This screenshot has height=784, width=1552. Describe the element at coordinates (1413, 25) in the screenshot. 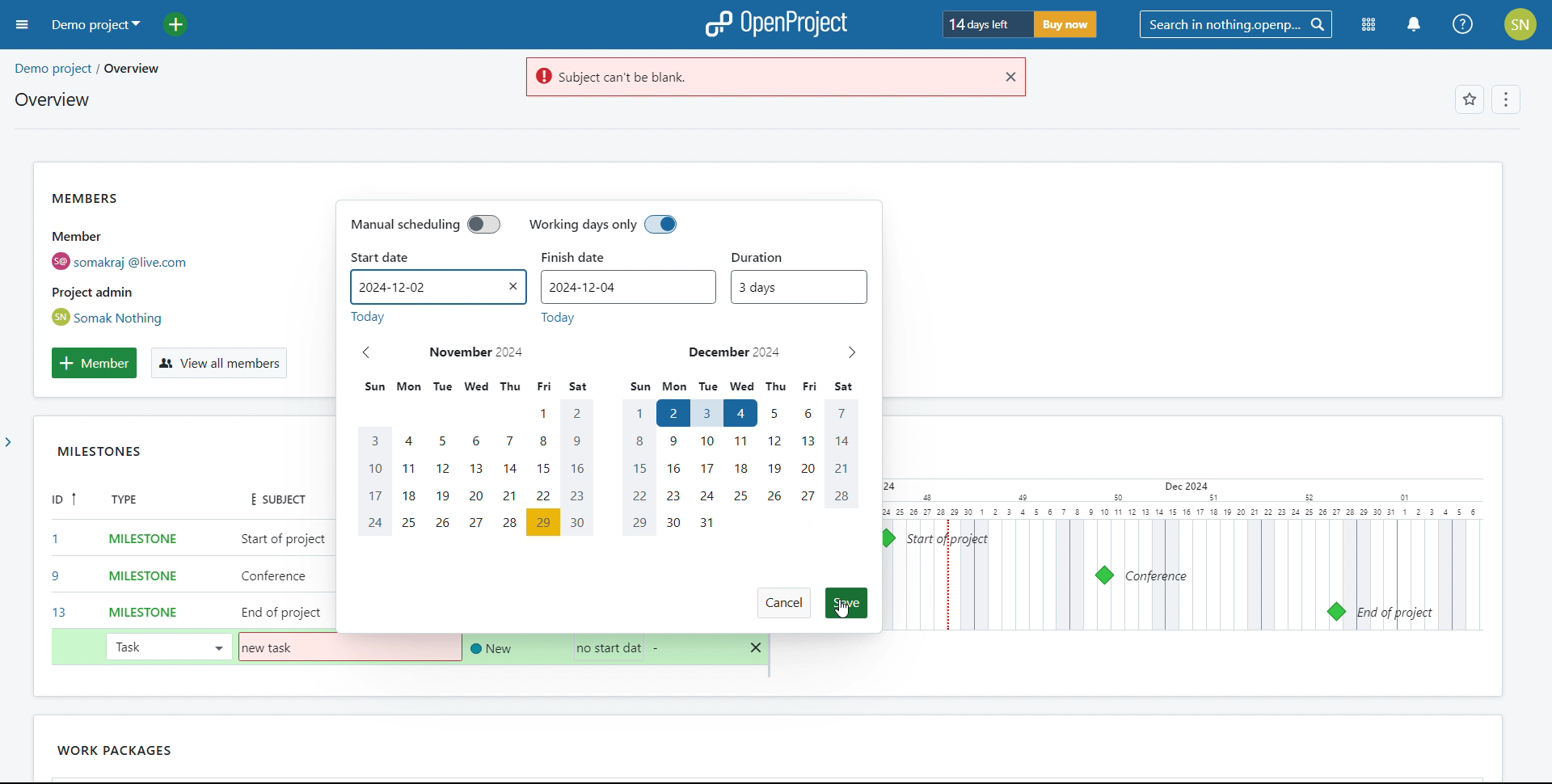

I see `notification` at that location.